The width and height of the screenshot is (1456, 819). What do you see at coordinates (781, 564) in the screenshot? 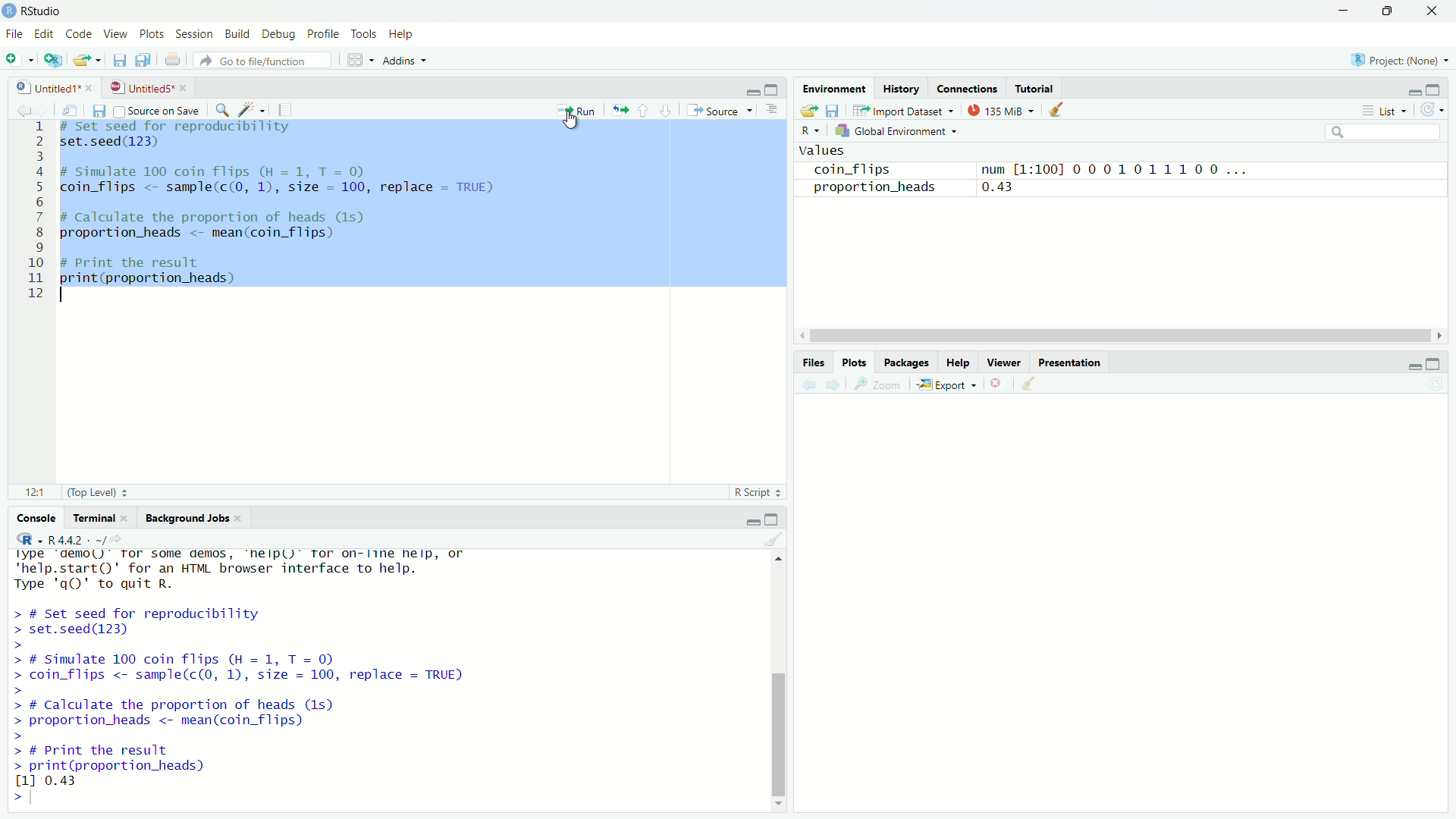
I see `move top` at bounding box center [781, 564].